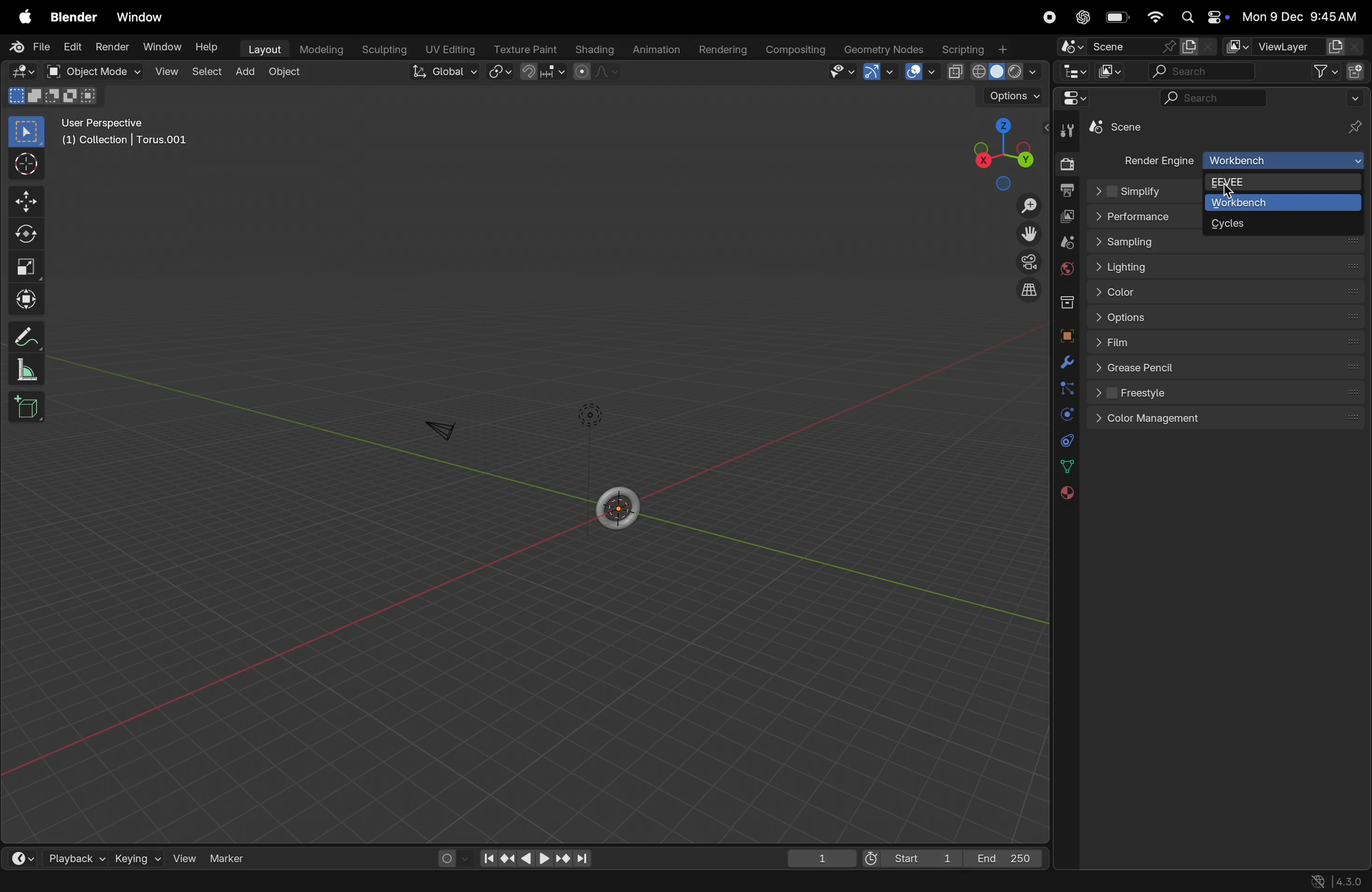 This screenshot has width=1372, height=892. What do you see at coordinates (29, 200) in the screenshot?
I see `Move` at bounding box center [29, 200].